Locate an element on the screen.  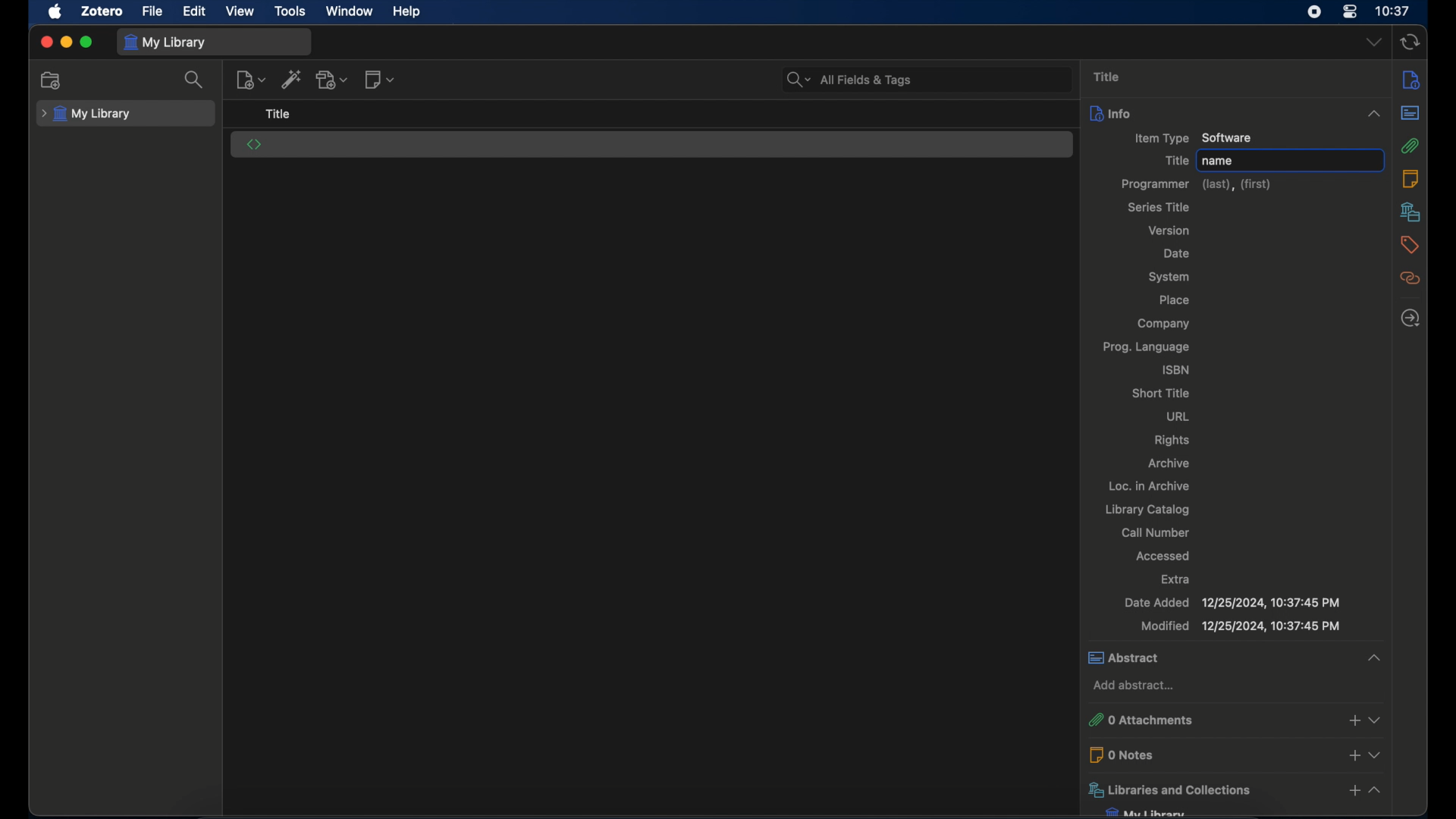
archive is located at coordinates (1169, 463).